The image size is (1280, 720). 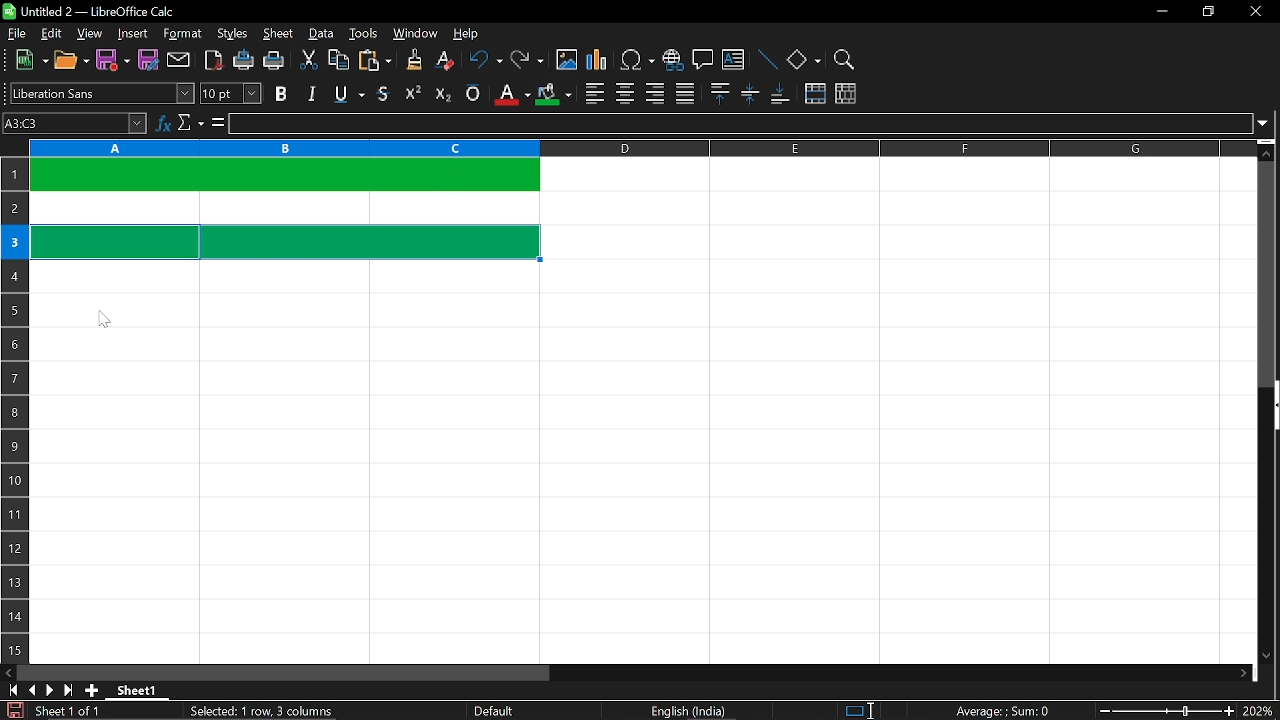 I want to click on rows, so click(x=12, y=387).